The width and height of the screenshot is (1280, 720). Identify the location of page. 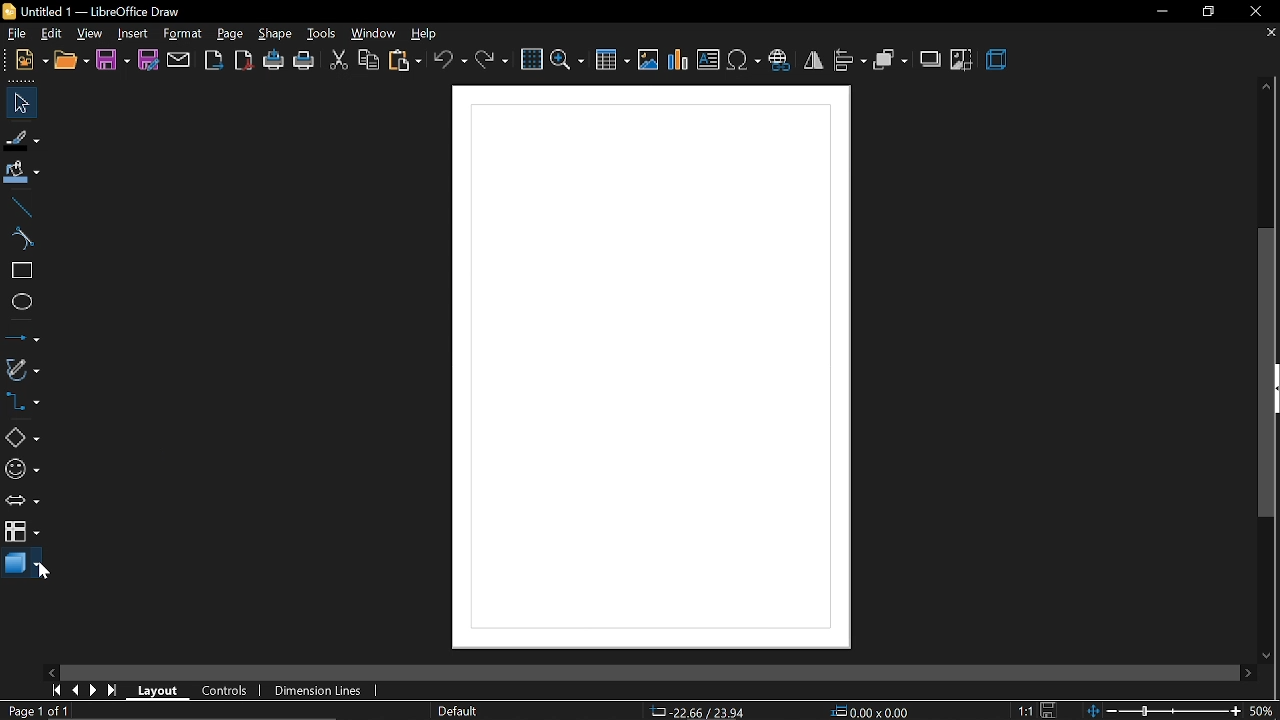
(228, 34).